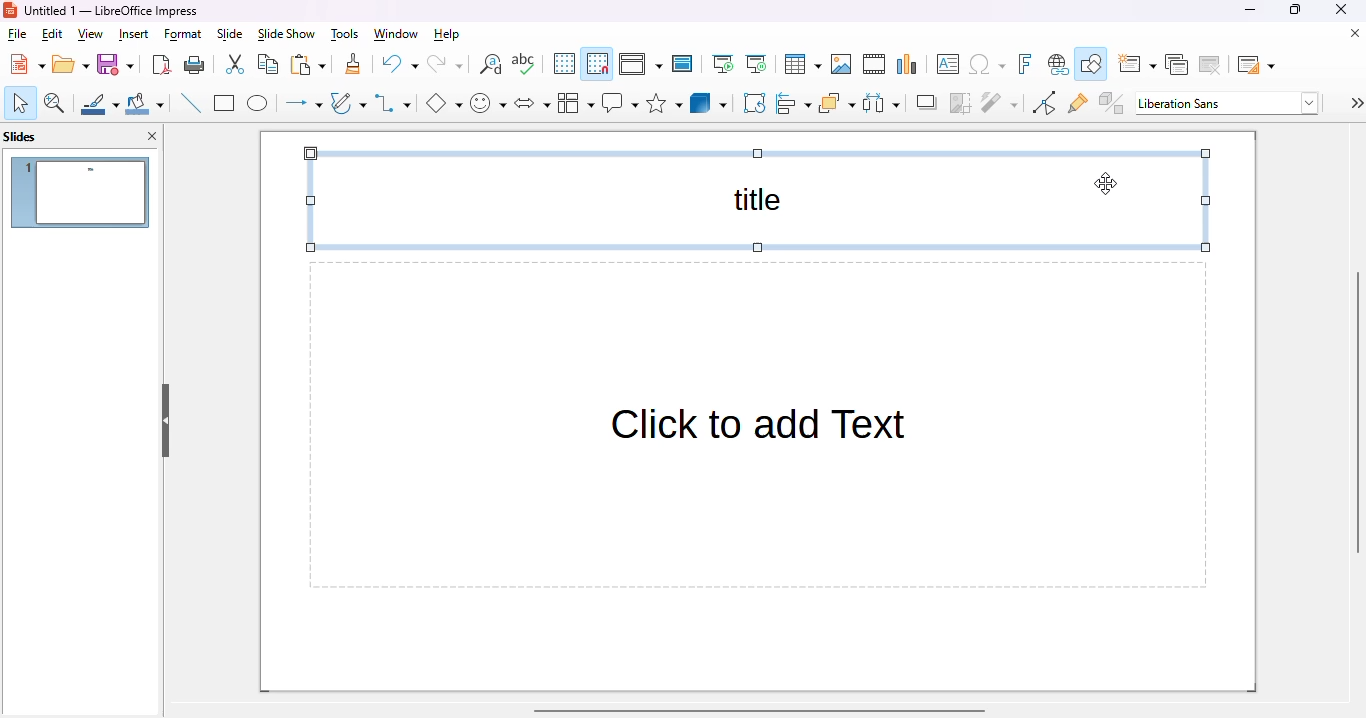  What do you see at coordinates (400, 64) in the screenshot?
I see `undo` at bounding box center [400, 64].